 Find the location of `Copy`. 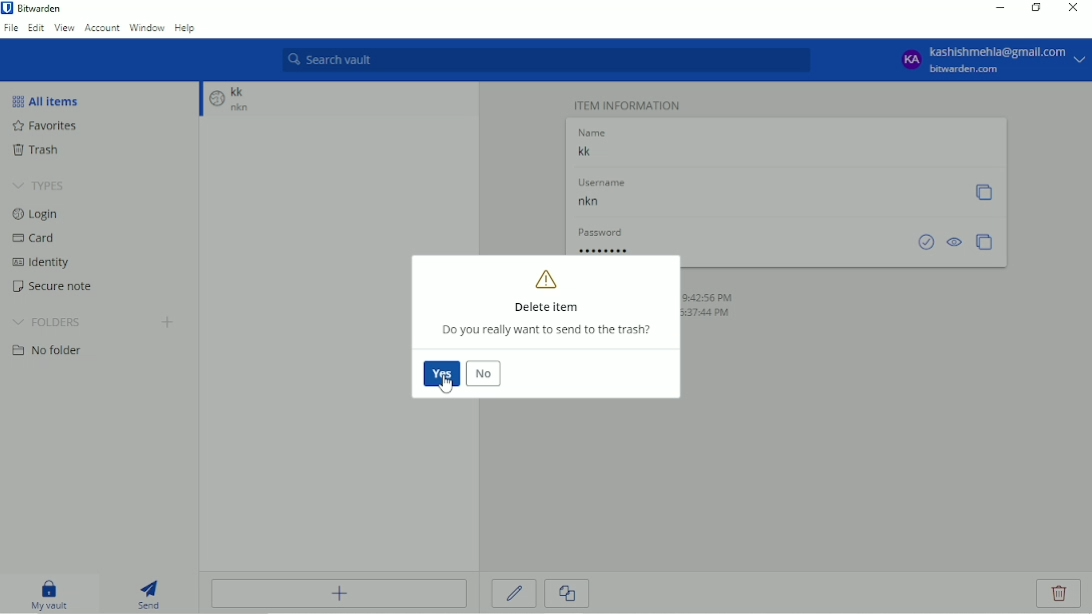

Copy is located at coordinates (985, 242).